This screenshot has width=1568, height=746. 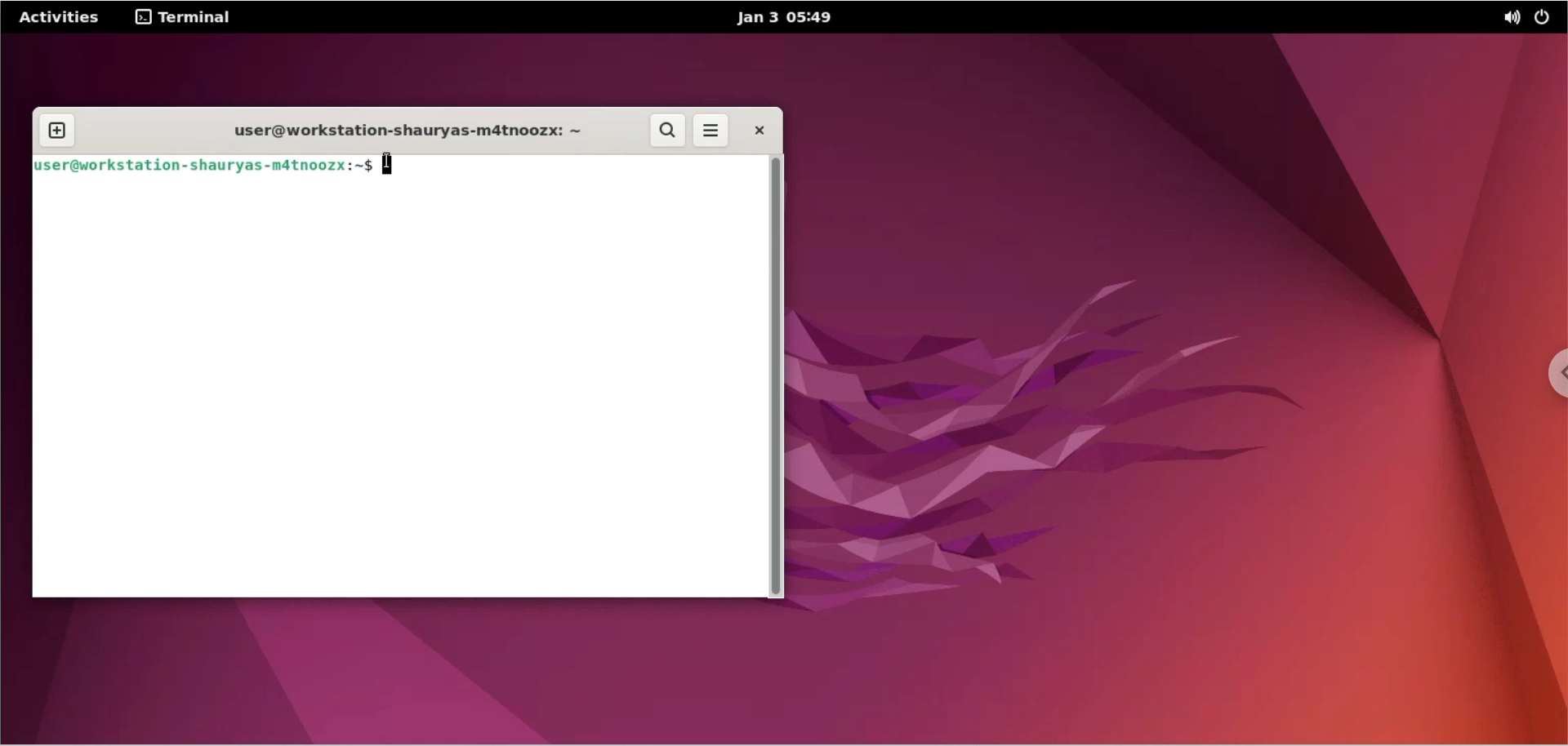 What do you see at coordinates (1546, 20) in the screenshot?
I see `power options` at bounding box center [1546, 20].